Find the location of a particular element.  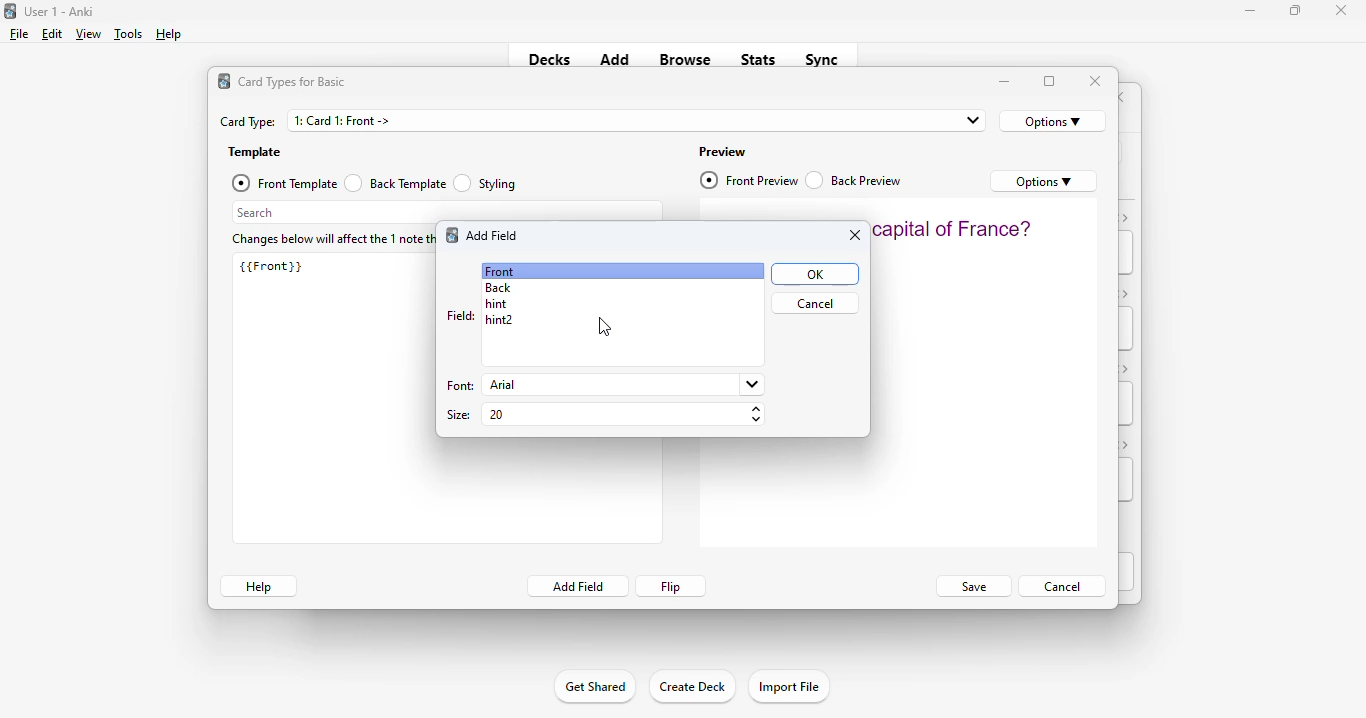

cancel is located at coordinates (814, 303).